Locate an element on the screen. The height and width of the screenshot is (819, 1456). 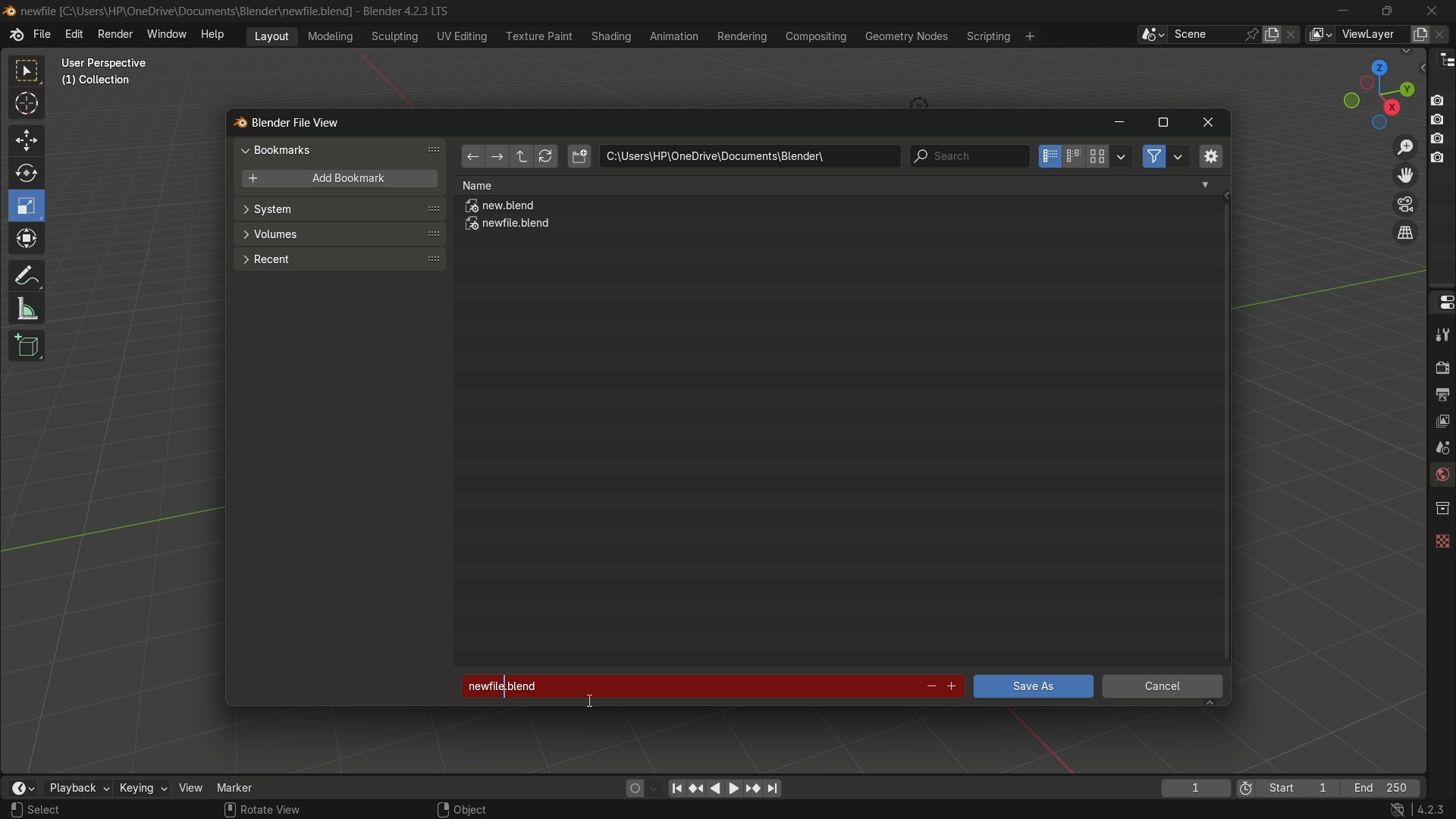
toggle camera view layer is located at coordinates (1405, 202).